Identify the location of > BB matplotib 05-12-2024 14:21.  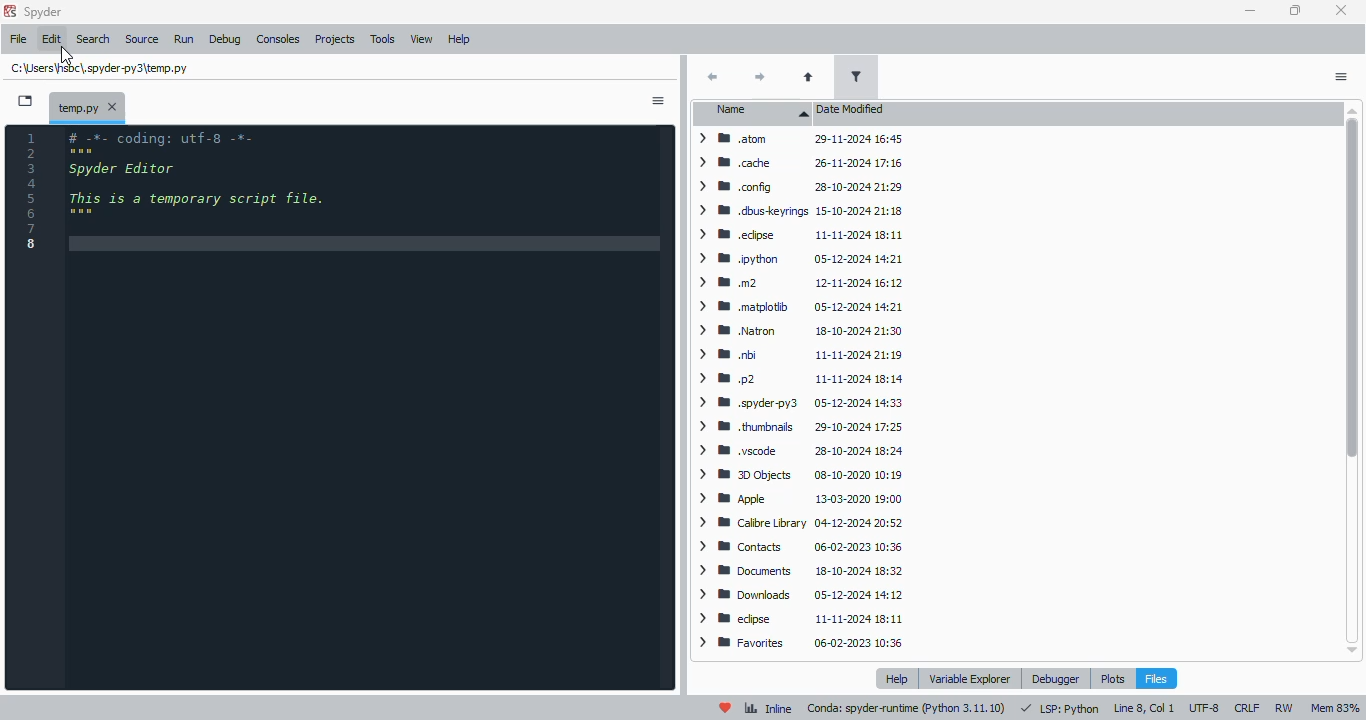
(798, 306).